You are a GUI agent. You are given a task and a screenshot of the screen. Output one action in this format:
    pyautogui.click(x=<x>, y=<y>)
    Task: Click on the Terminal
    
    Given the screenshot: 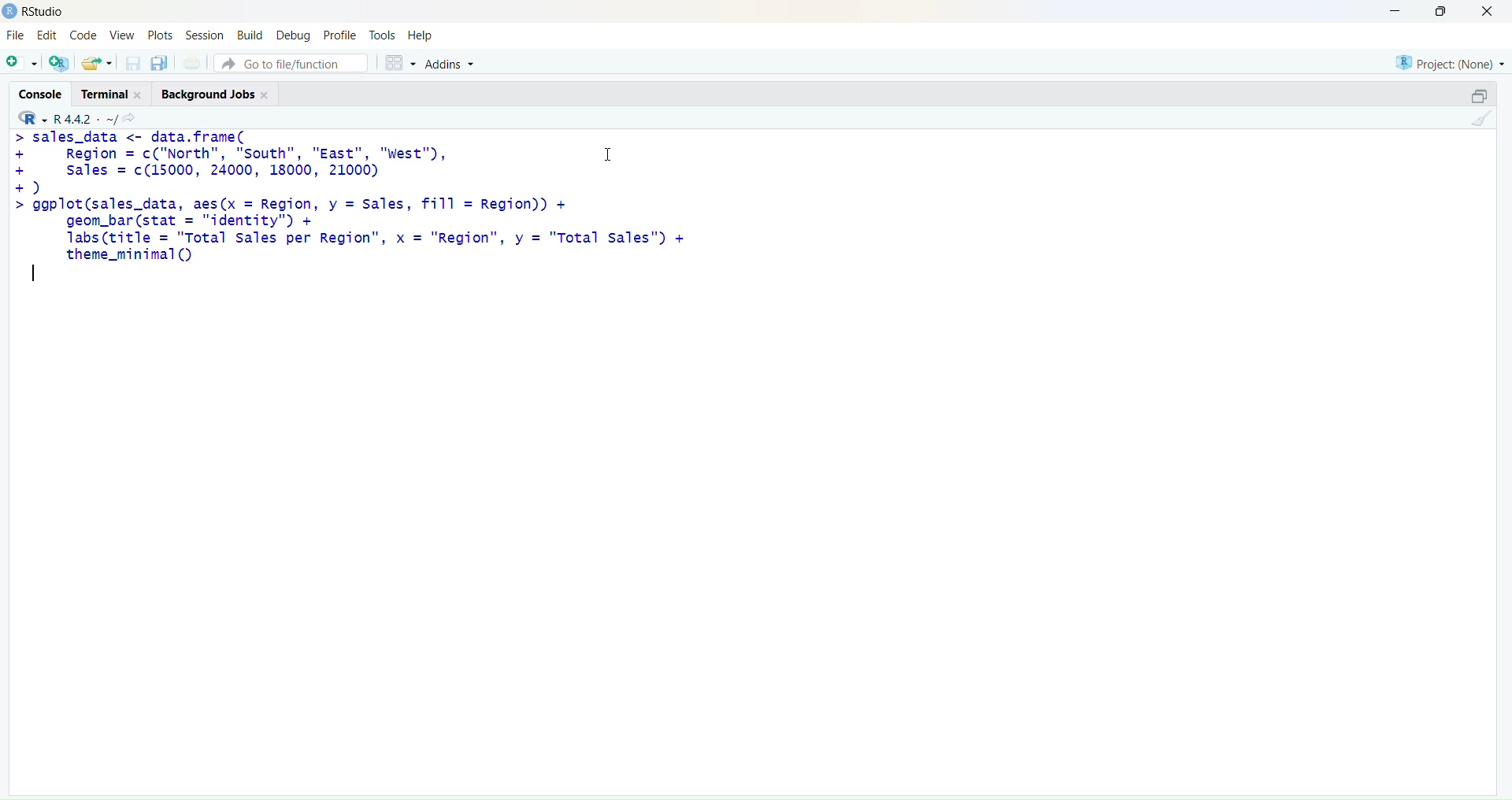 What is the action you would take?
    pyautogui.click(x=108, y=93)
    